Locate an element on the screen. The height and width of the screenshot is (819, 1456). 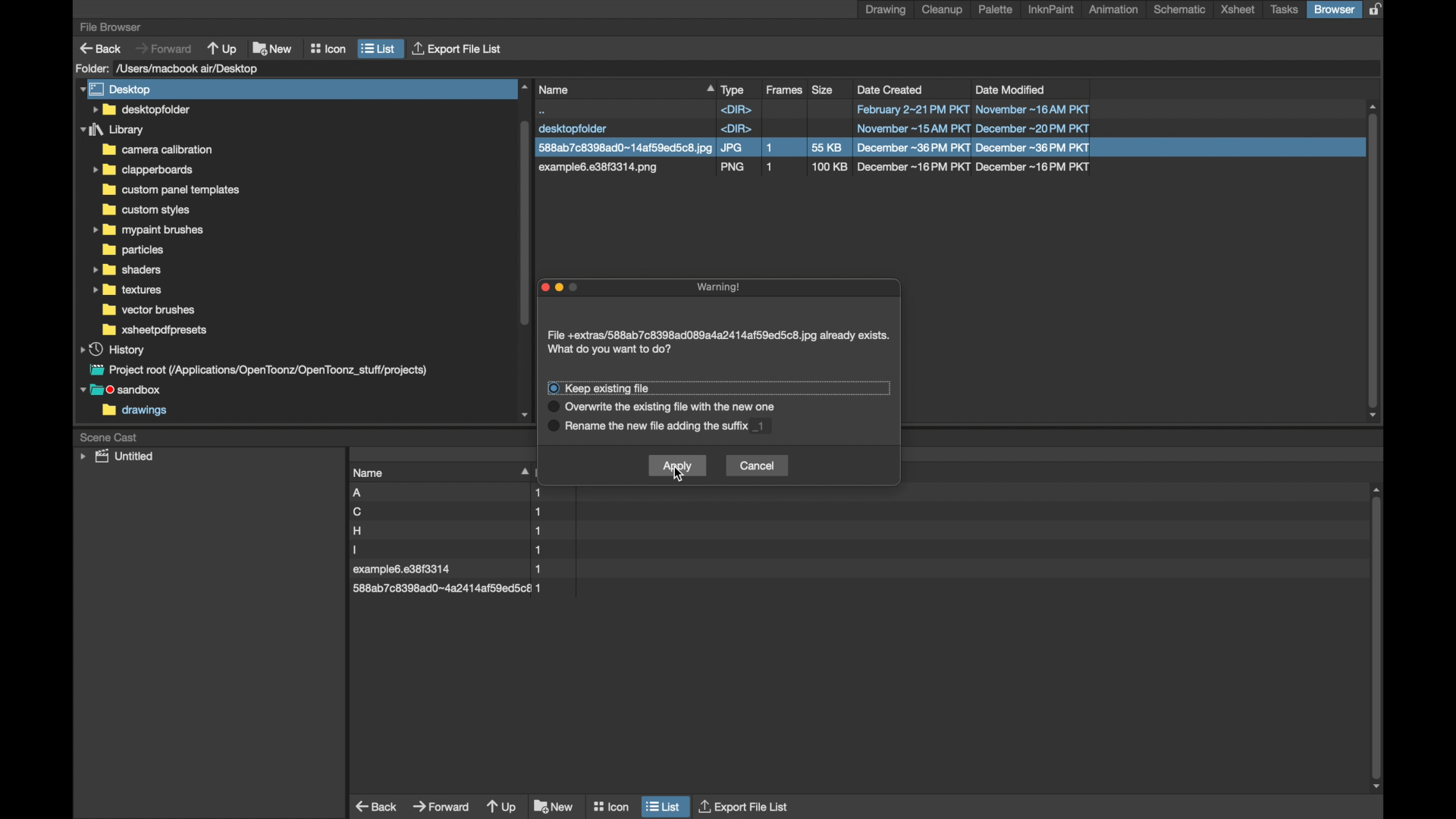
tasks is located at coordinates (1285, 10).